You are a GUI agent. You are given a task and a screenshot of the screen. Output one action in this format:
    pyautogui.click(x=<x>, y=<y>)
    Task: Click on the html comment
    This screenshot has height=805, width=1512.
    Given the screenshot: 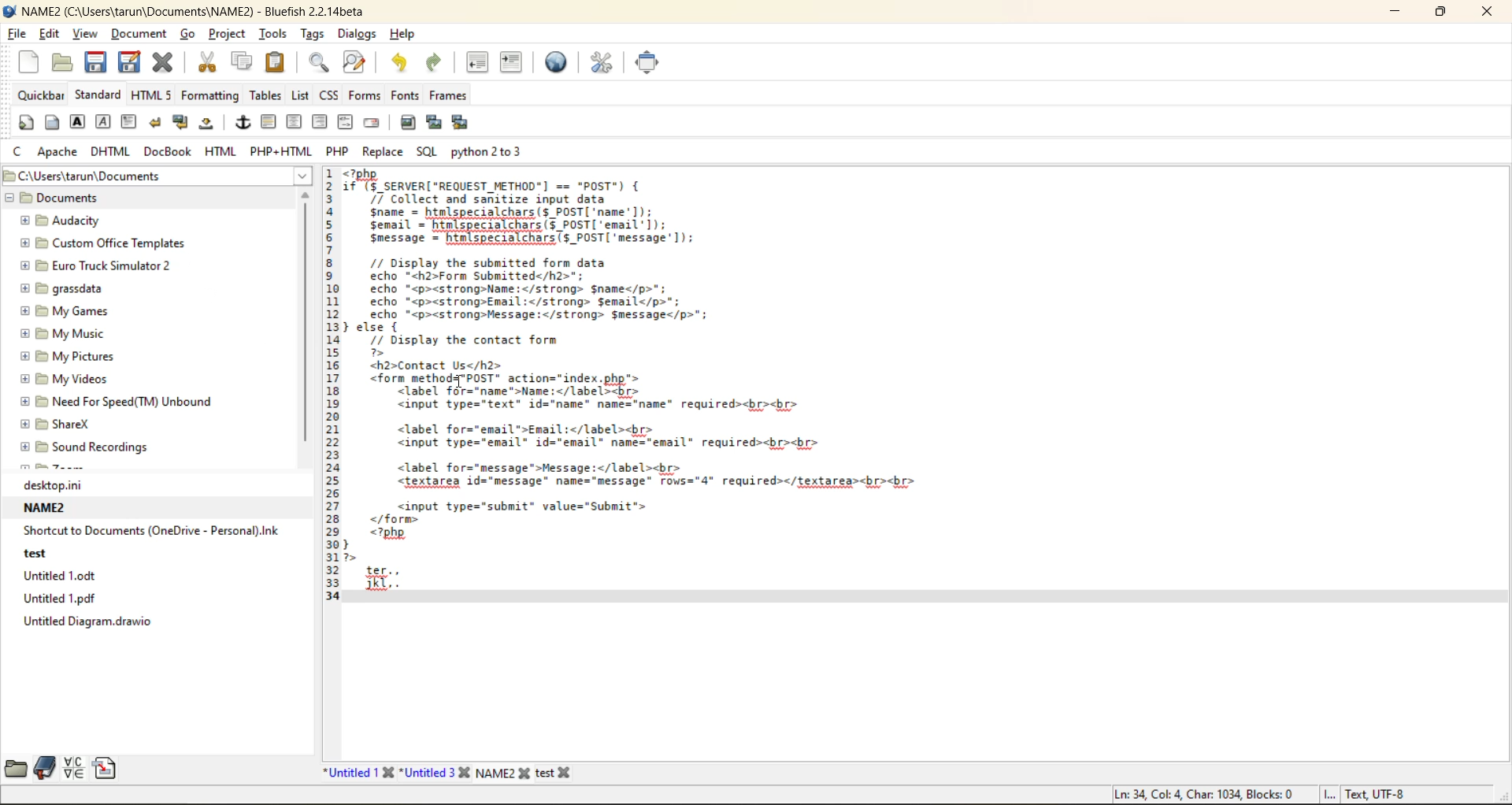 What is the action you would take?
    pyautogui.click(x=343, y=120)
    